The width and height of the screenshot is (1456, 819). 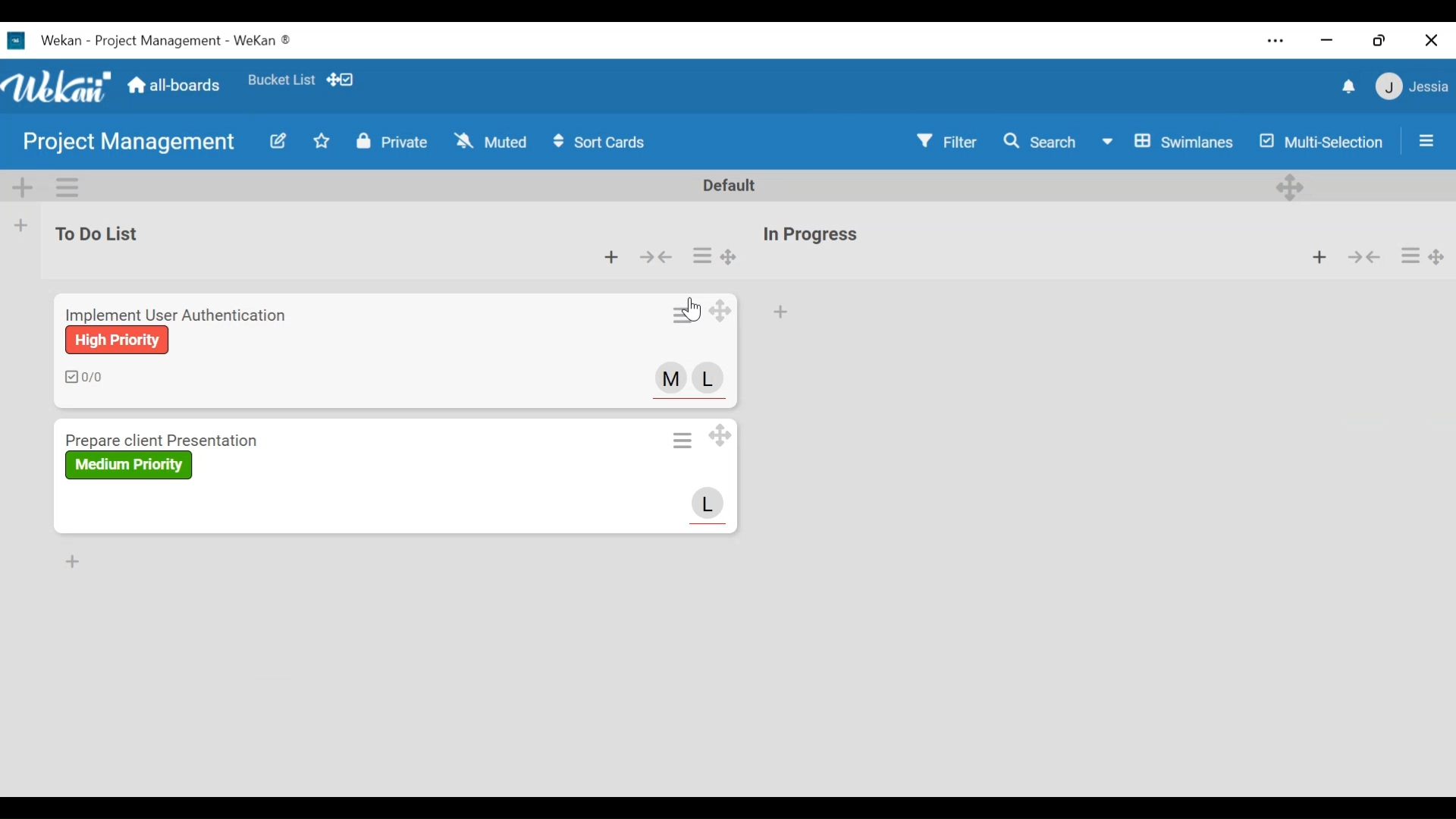 I want to click on Private, so click(x=392, y=142).